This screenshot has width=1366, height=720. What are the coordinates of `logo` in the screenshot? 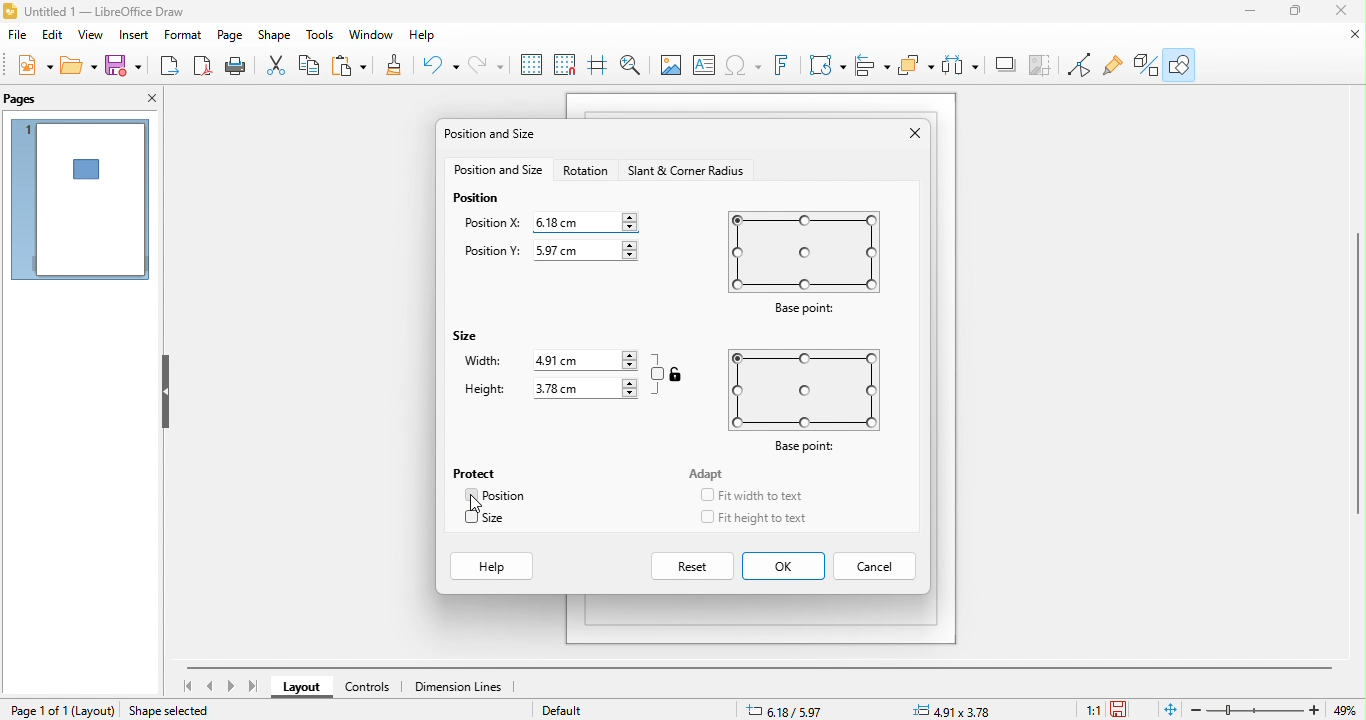 It's located at (11, 11).